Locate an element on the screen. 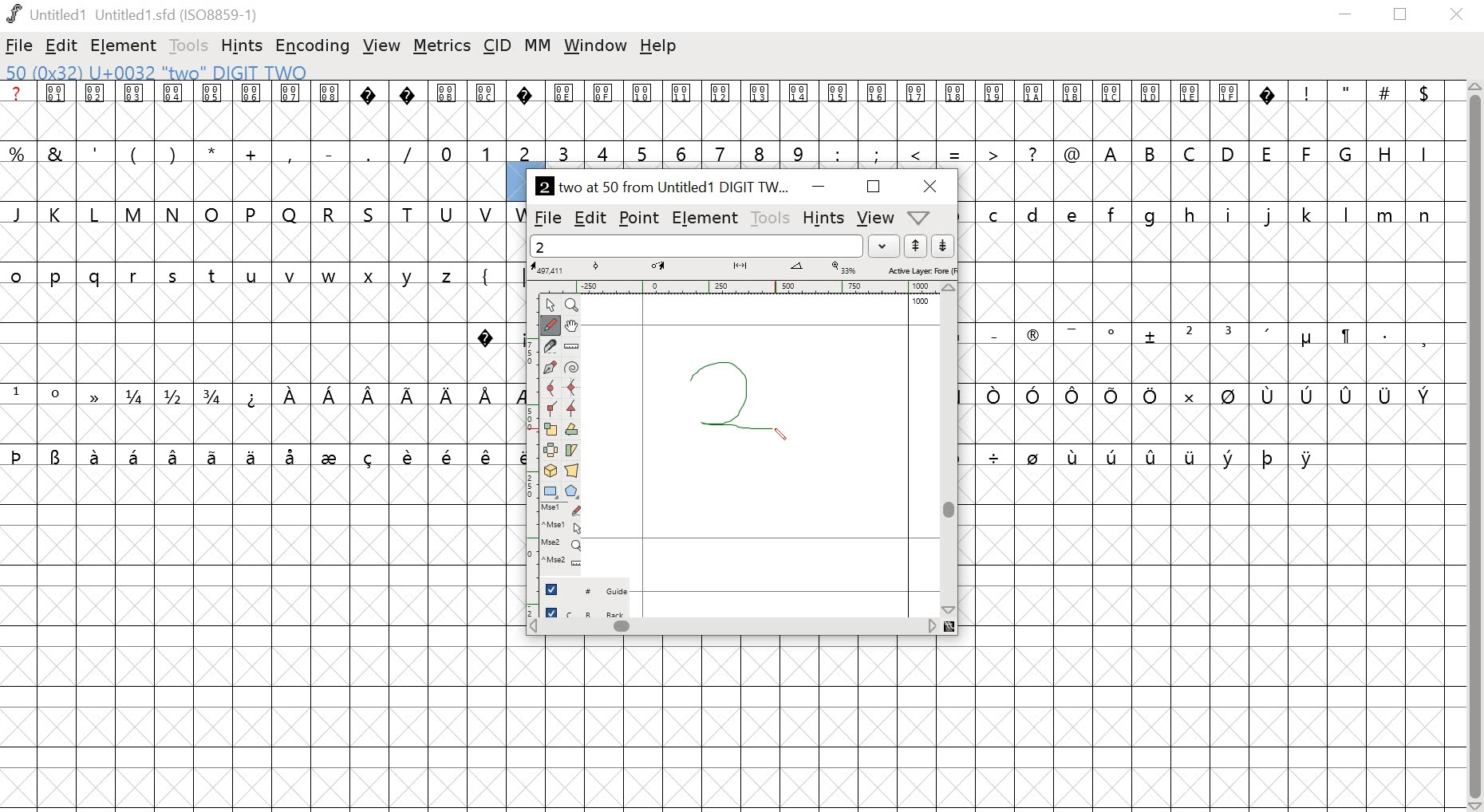  scale is located at coordinates (552, 430).